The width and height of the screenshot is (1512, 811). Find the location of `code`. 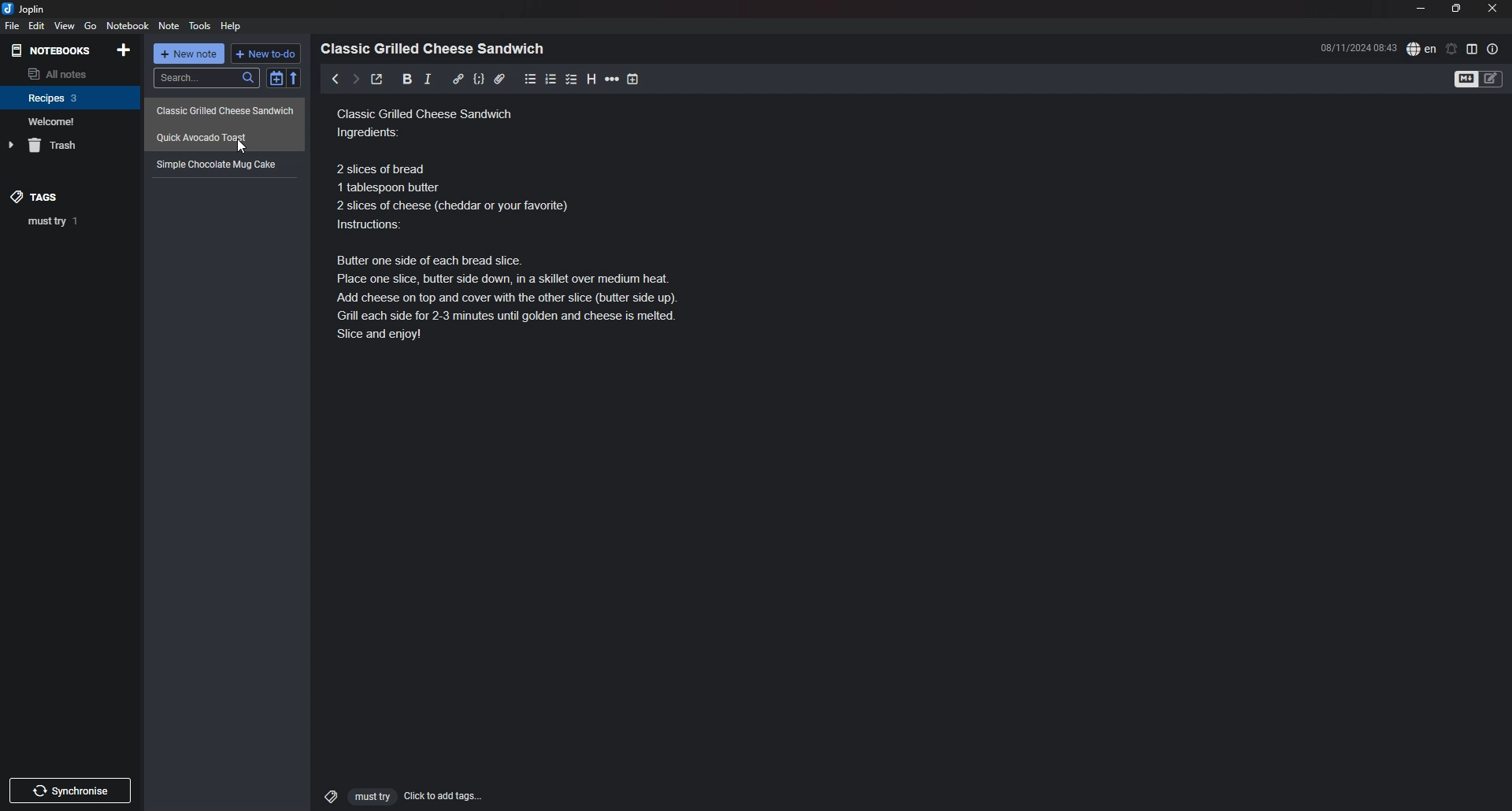

code is located at coordinates (478, 79).